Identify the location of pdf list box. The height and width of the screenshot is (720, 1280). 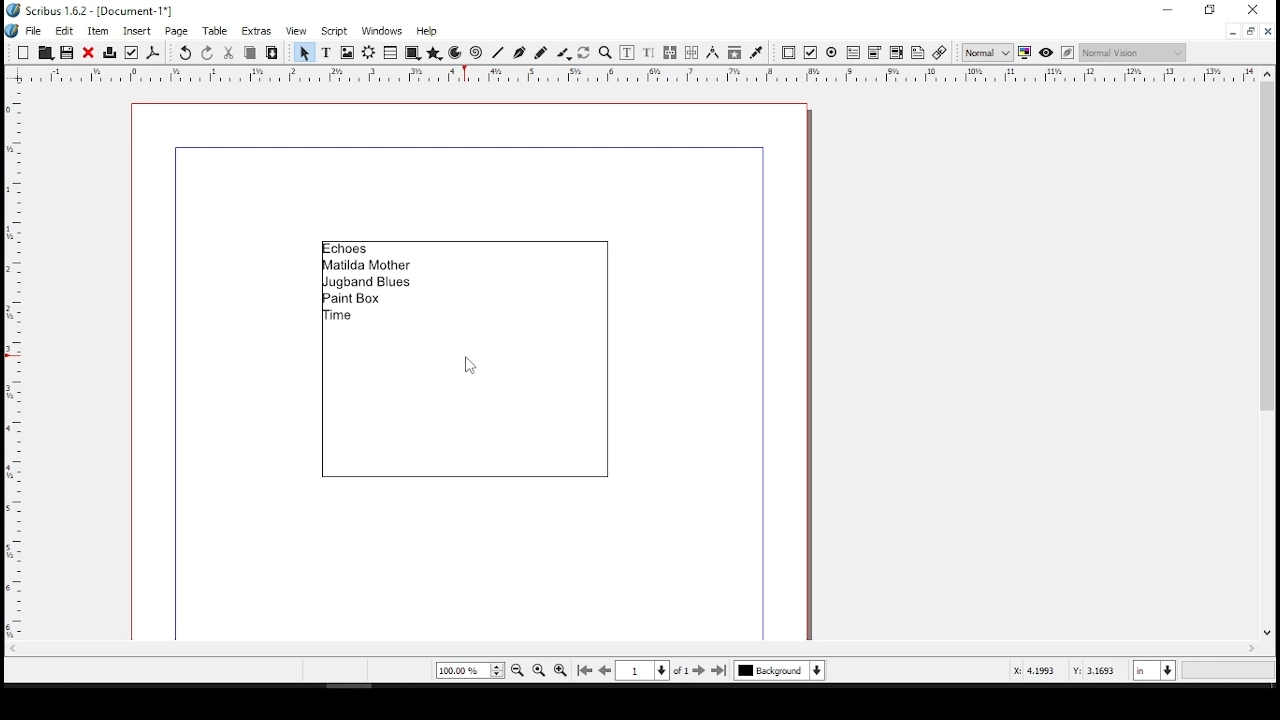
(896, 54).